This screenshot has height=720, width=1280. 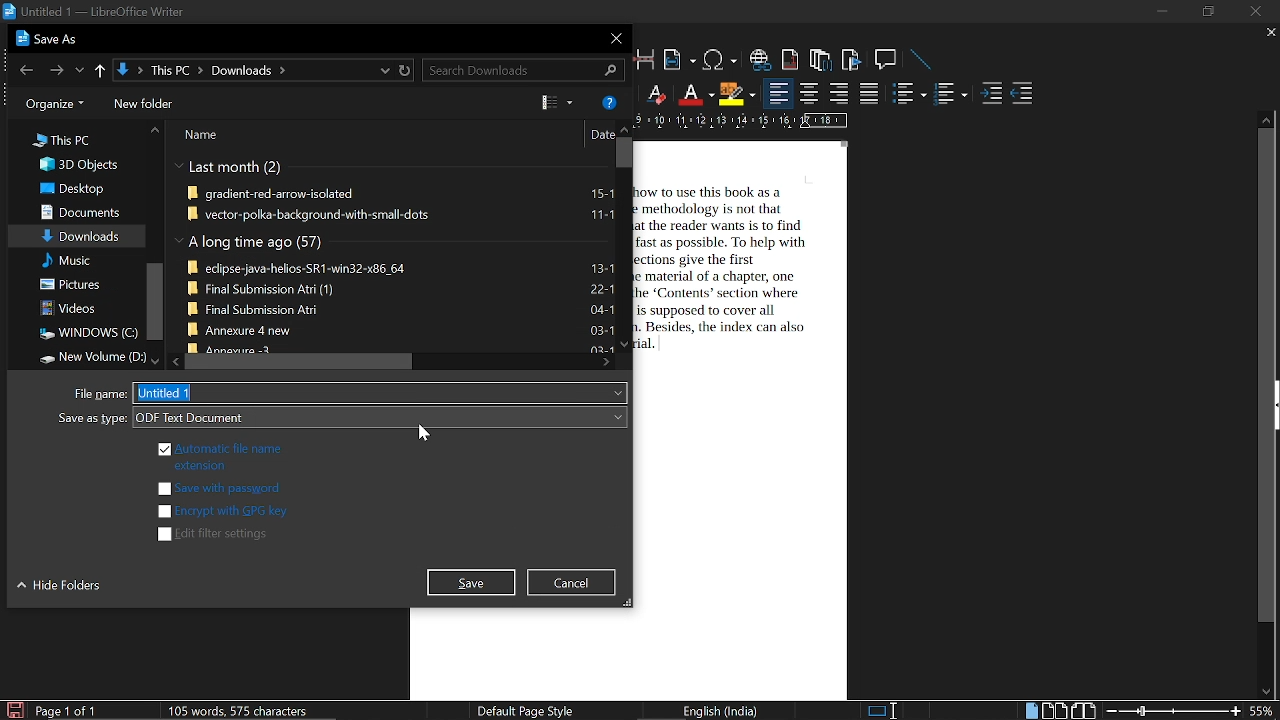 What do you see at coordinates (606, 363) in the screenshot?
I see `move right` at bounding box center [606, 363].